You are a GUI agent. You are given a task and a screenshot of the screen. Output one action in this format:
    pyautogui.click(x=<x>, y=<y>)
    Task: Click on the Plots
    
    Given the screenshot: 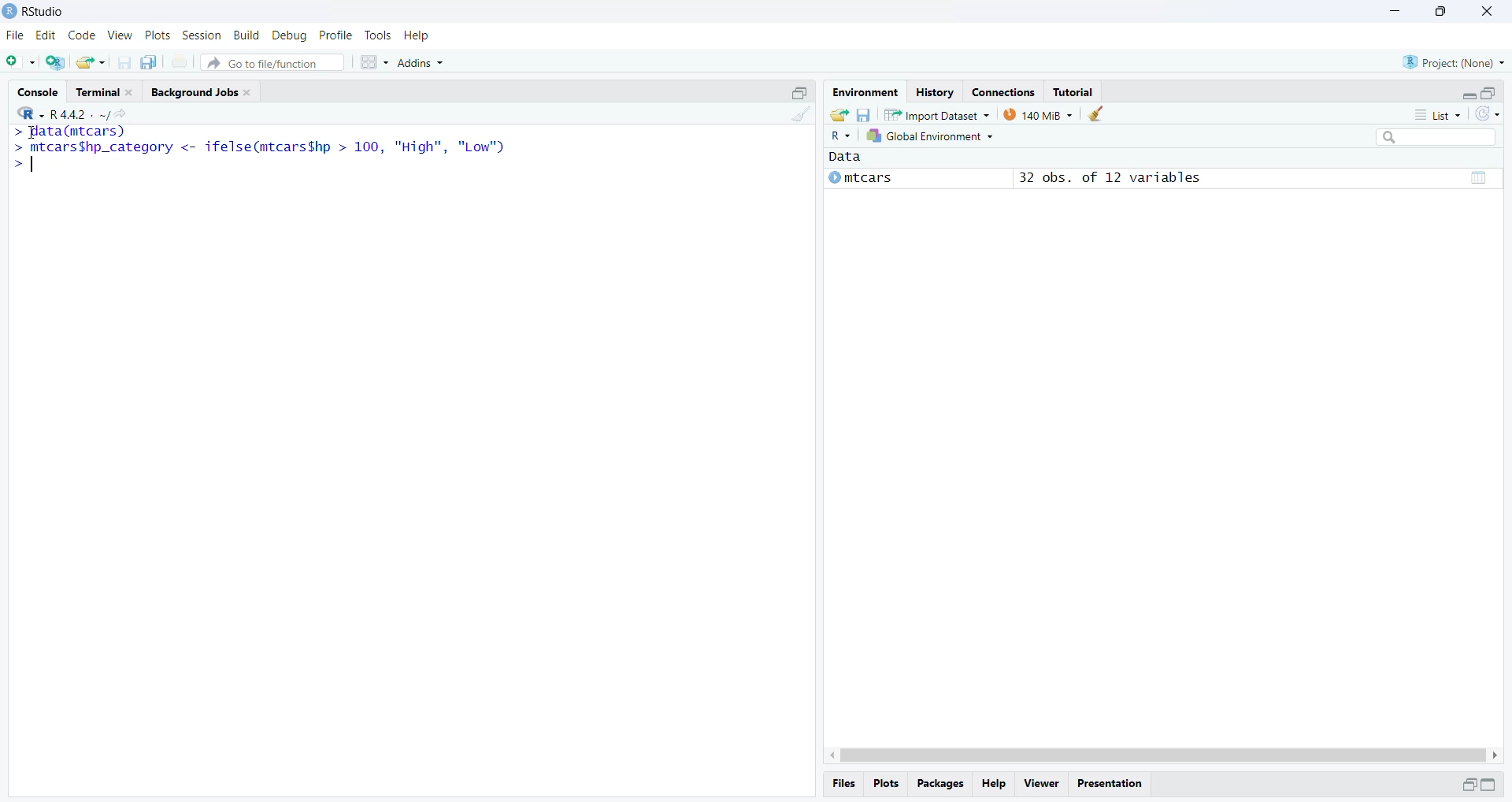 What is the action you would take?
    pyautogui.click(x=889, y=785)
    